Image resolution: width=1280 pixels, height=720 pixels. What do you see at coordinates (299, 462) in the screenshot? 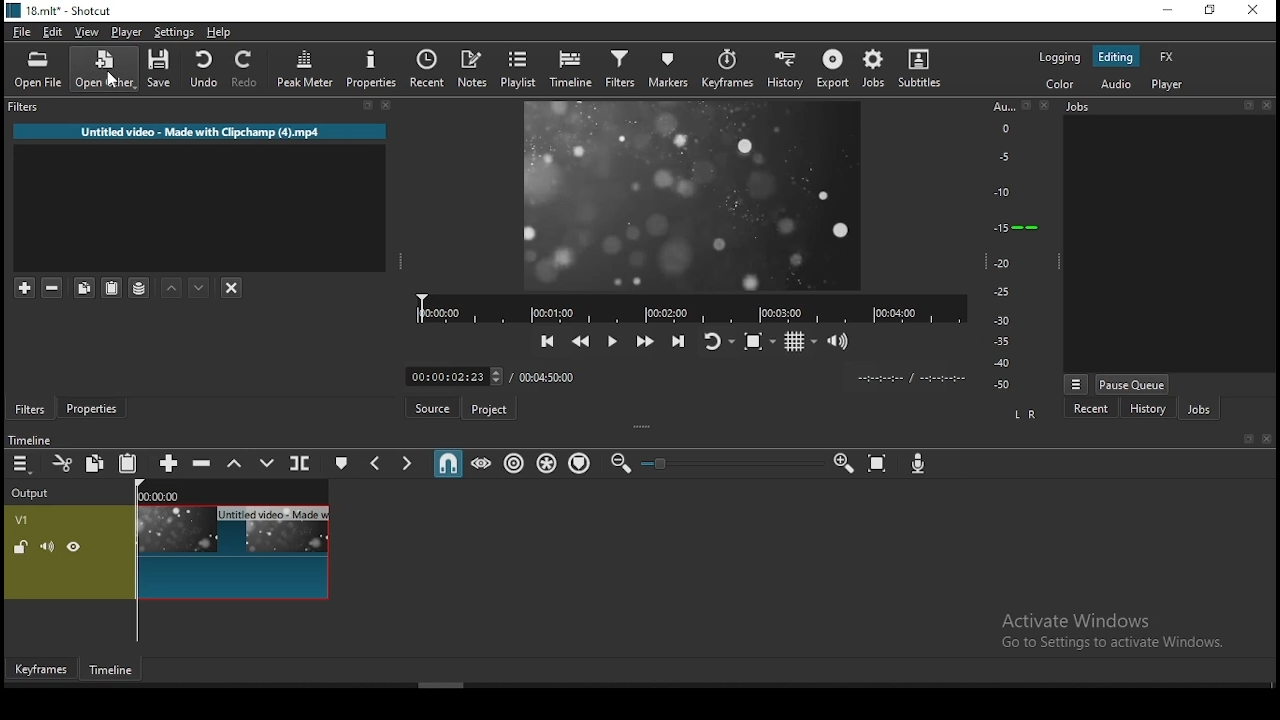
I see `split at playhead` at bounding box center [299, 462].